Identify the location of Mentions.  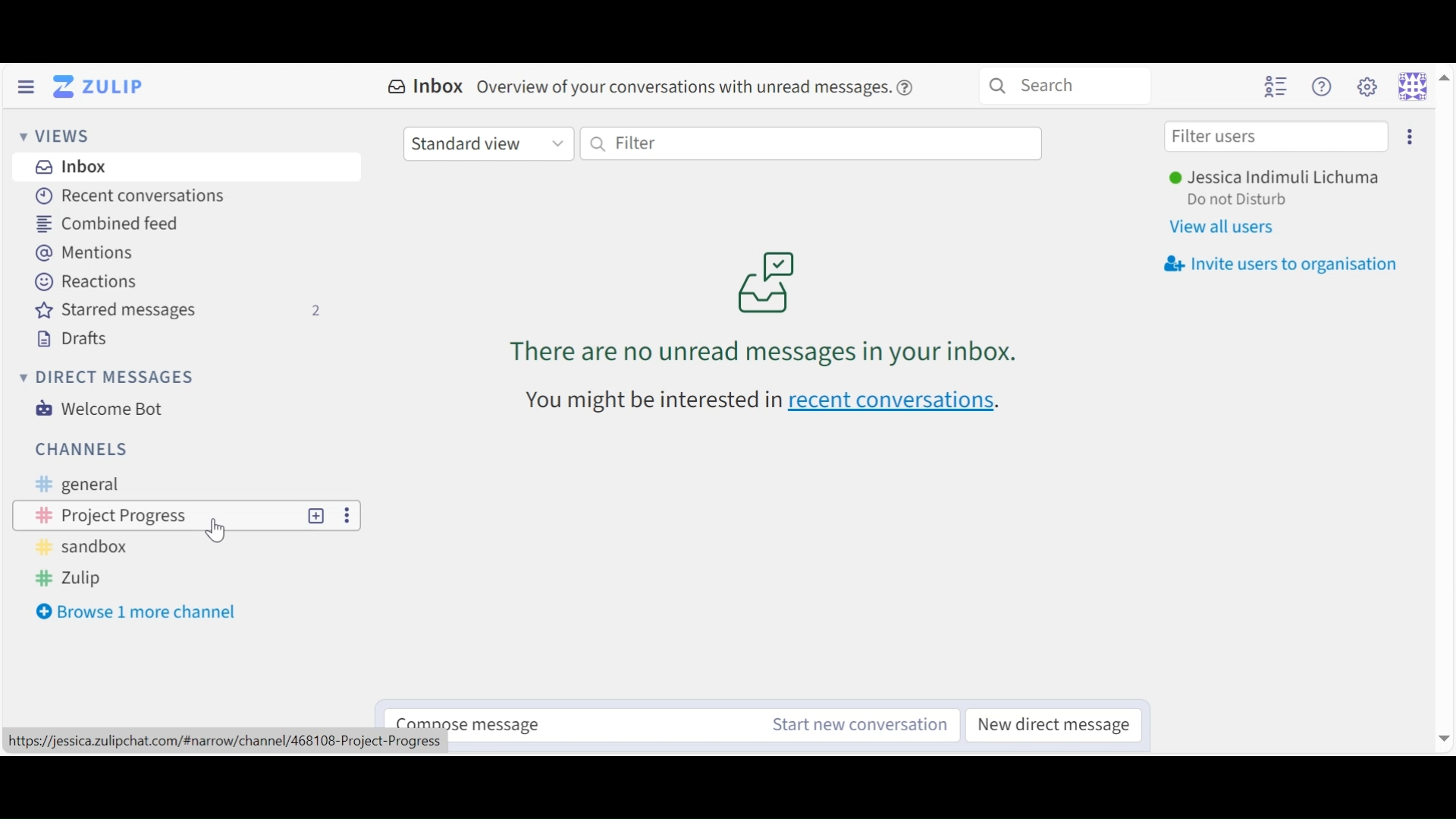
(92, 253).